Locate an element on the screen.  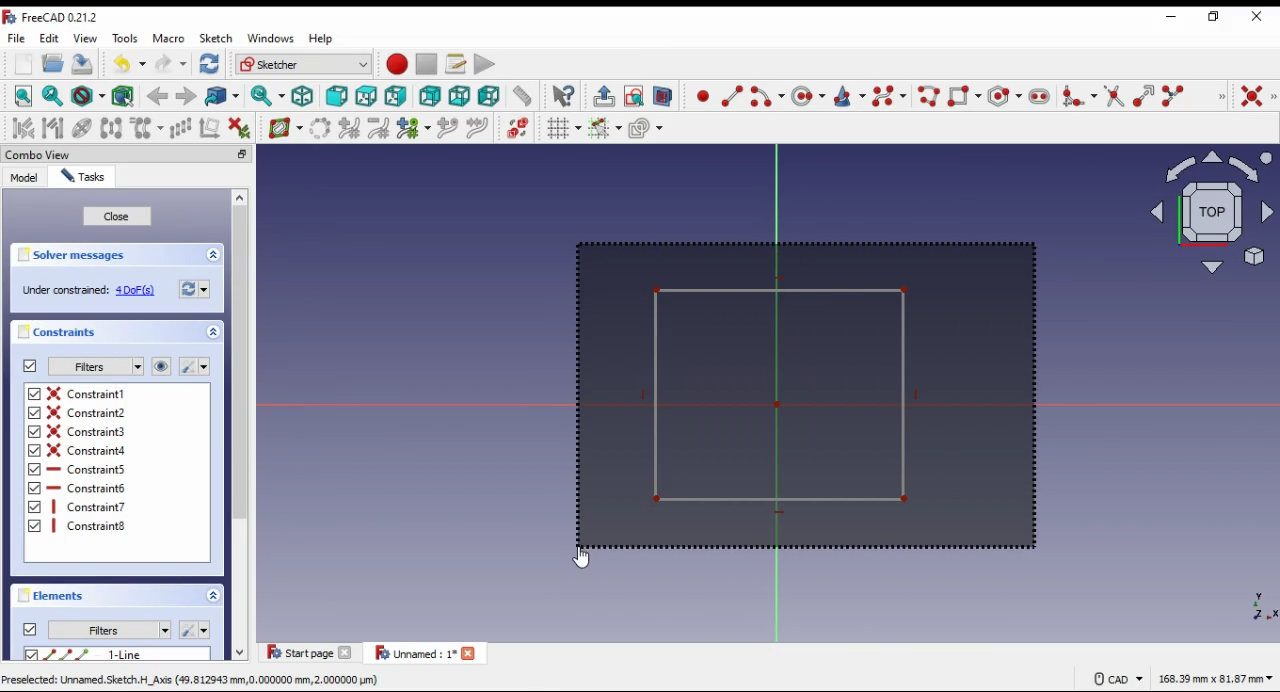
active selection is located at coordinates (802, 397).